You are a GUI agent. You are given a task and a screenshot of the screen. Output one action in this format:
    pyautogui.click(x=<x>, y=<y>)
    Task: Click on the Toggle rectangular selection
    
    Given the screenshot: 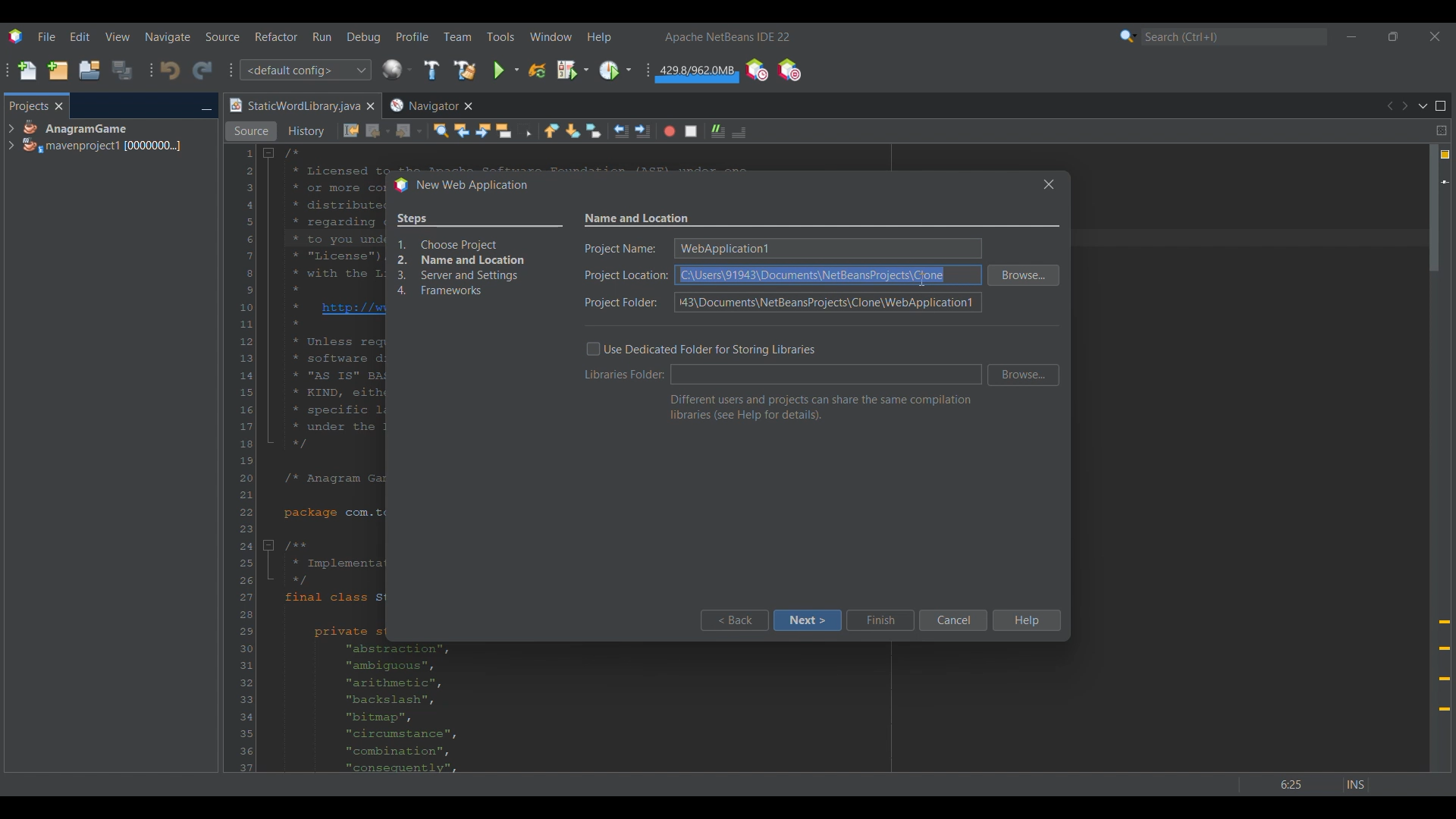 What is the action you would take?
    pyautogui.click(x=525, y=130)
    